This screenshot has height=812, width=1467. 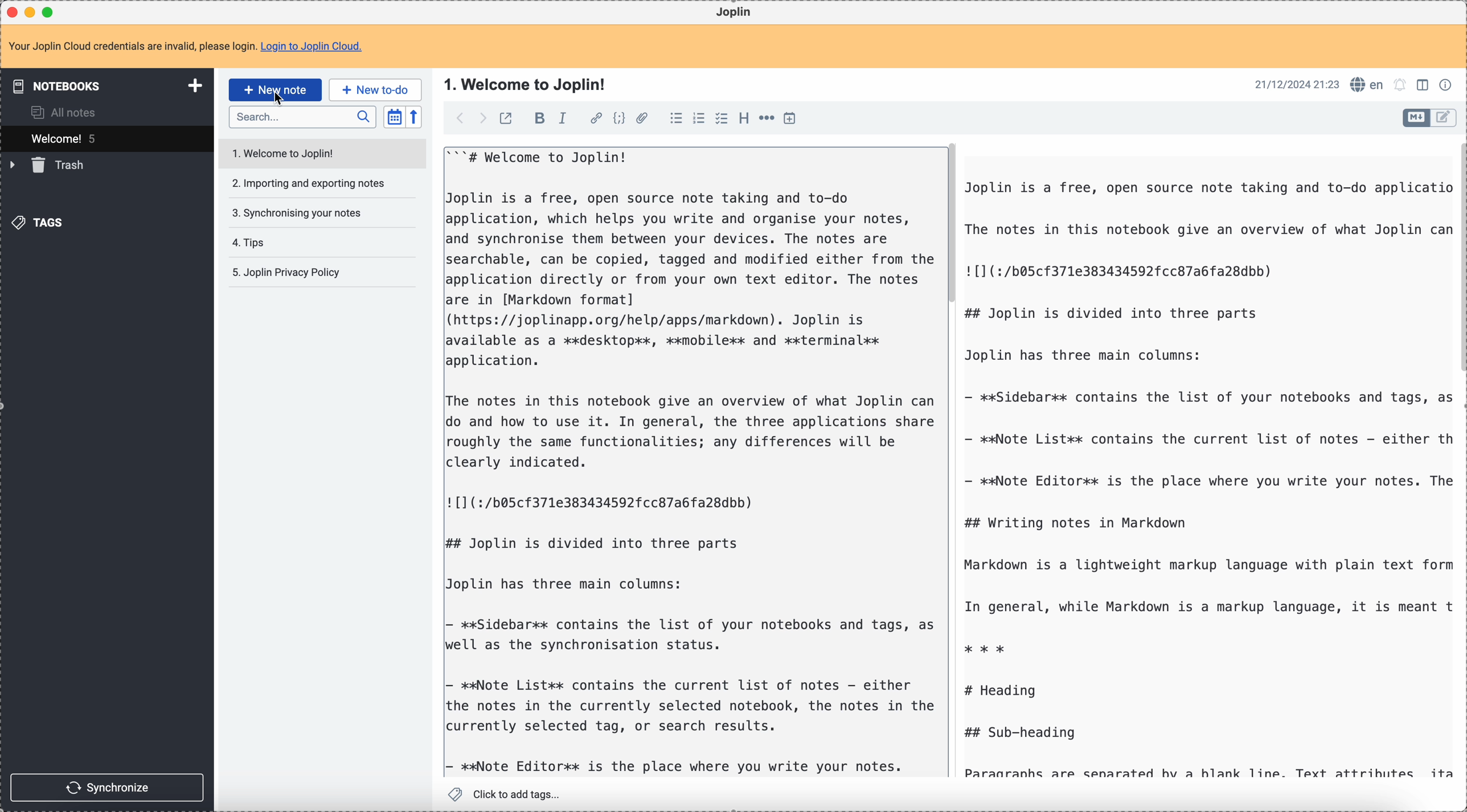 I want to click on title, so click(x=526, y=87).